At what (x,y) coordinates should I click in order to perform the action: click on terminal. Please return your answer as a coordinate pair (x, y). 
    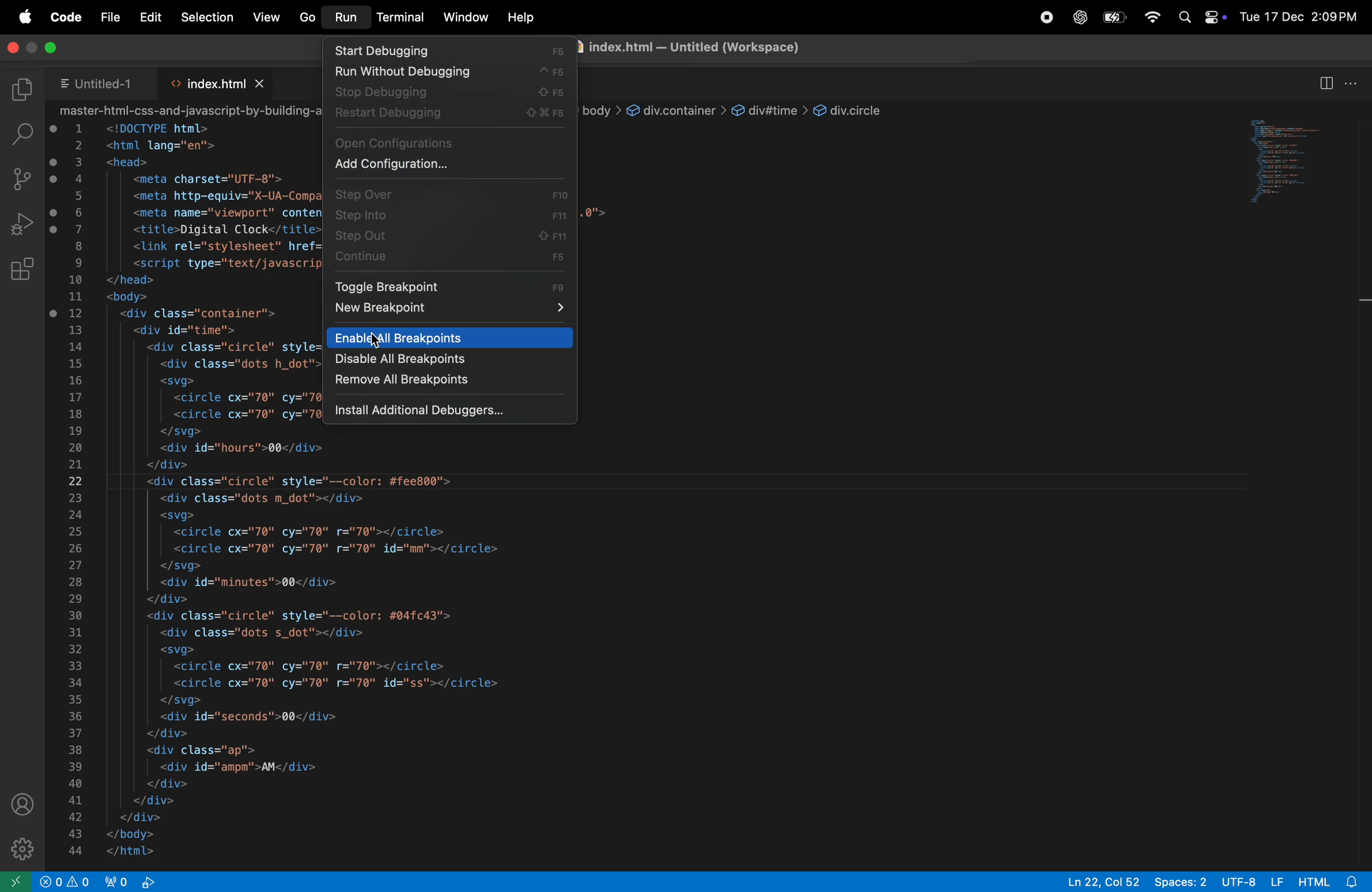
    Looking at the image, I should click on (400, 17).